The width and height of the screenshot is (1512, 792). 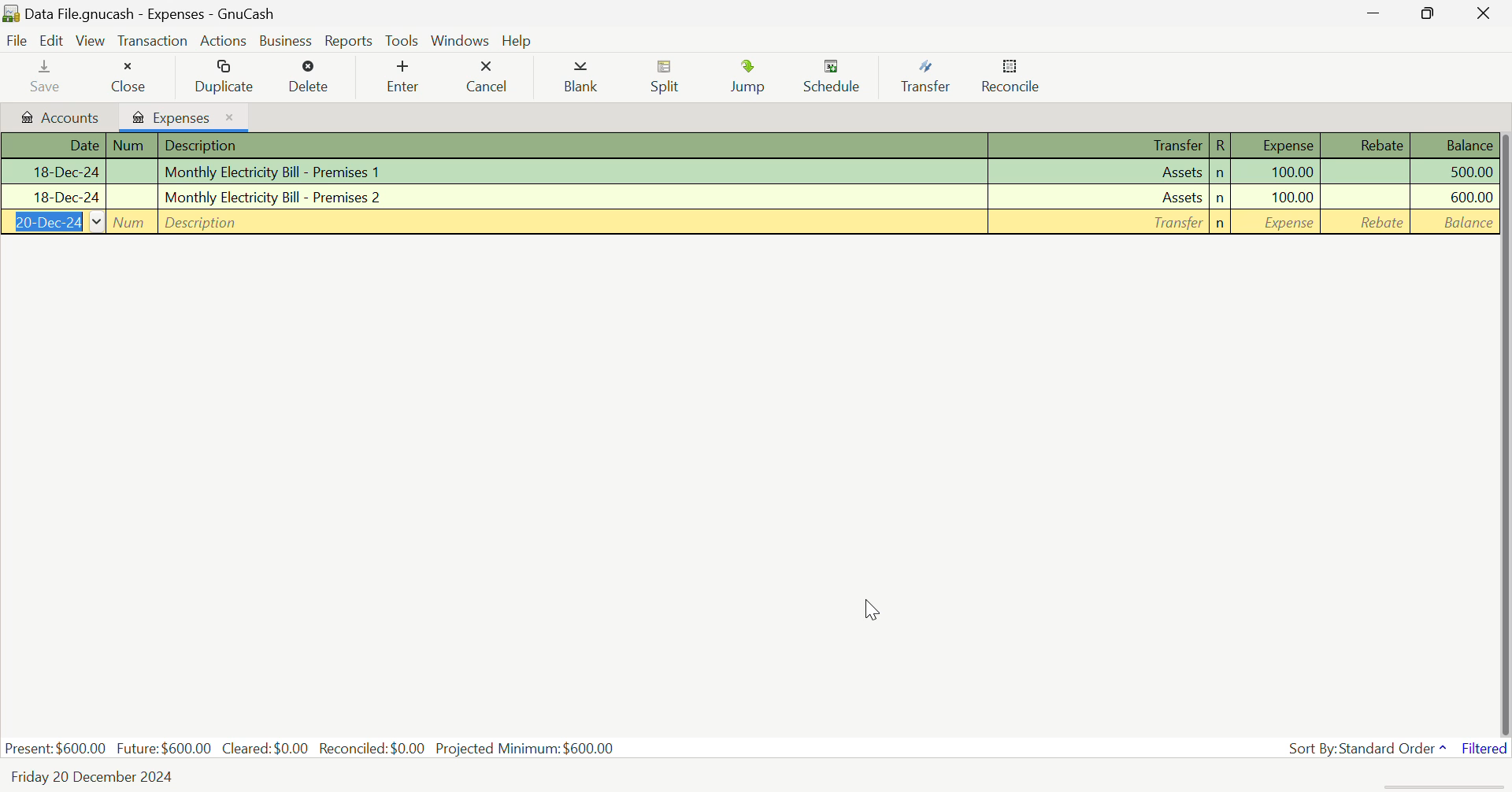 What do you see at coordinates (573, 146) in the screenshot?
I see `Description` at bounding box center [573, 146].